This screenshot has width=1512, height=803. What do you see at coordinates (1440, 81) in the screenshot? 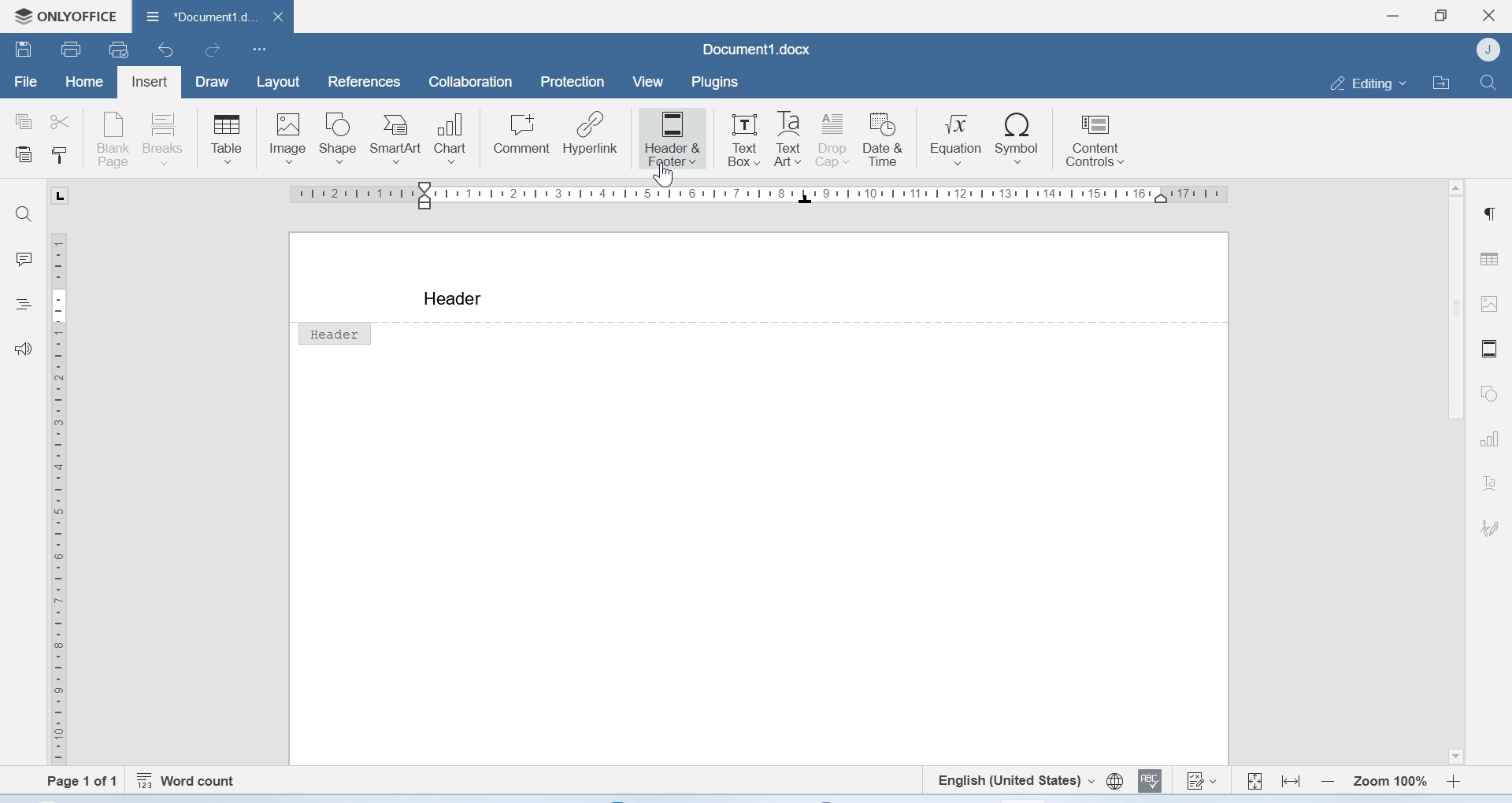
I see `Open file location` at bounding box center [1440, 81].